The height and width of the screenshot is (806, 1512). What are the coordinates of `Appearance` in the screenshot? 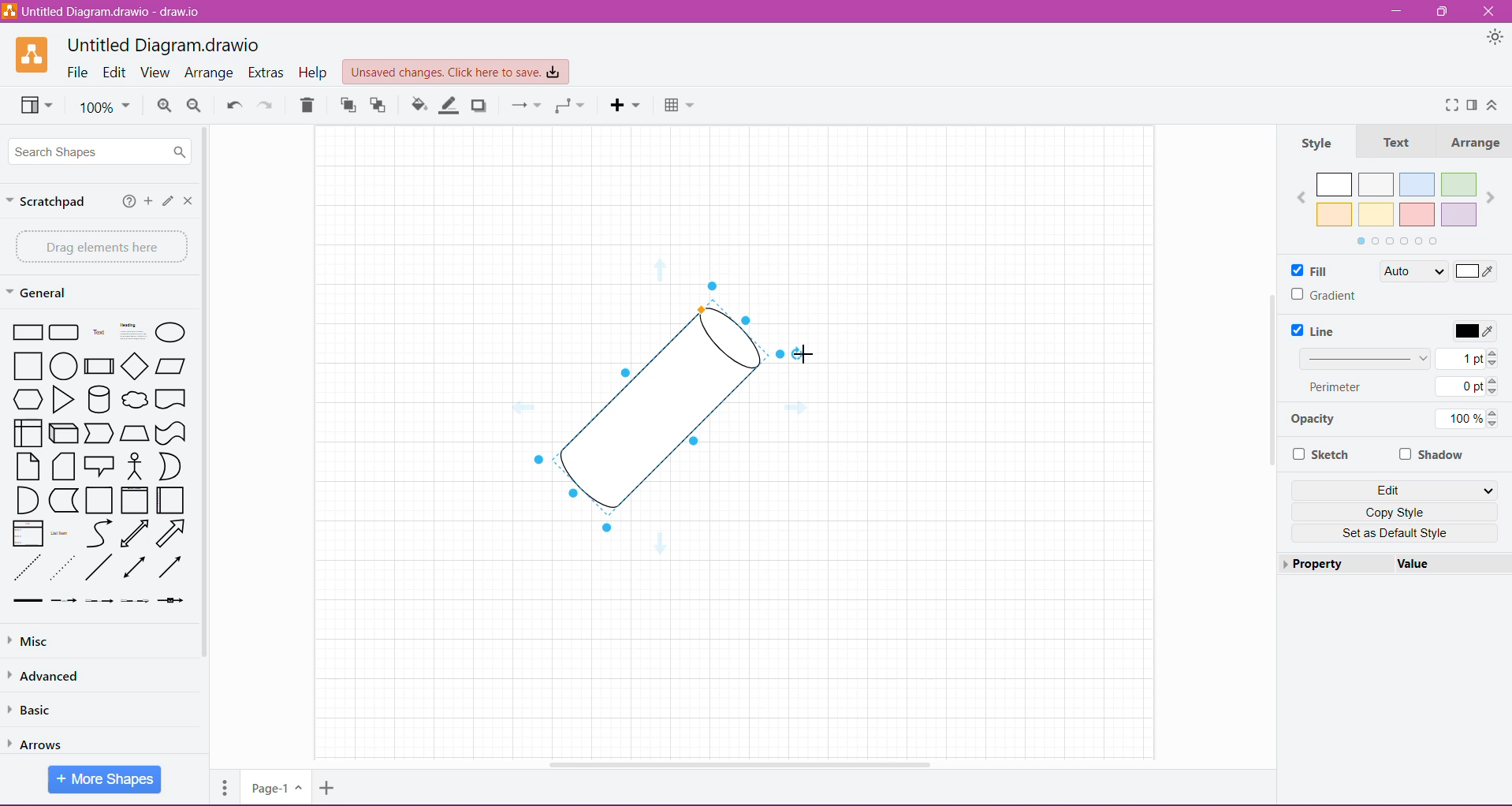 It's located at (1492, 37).